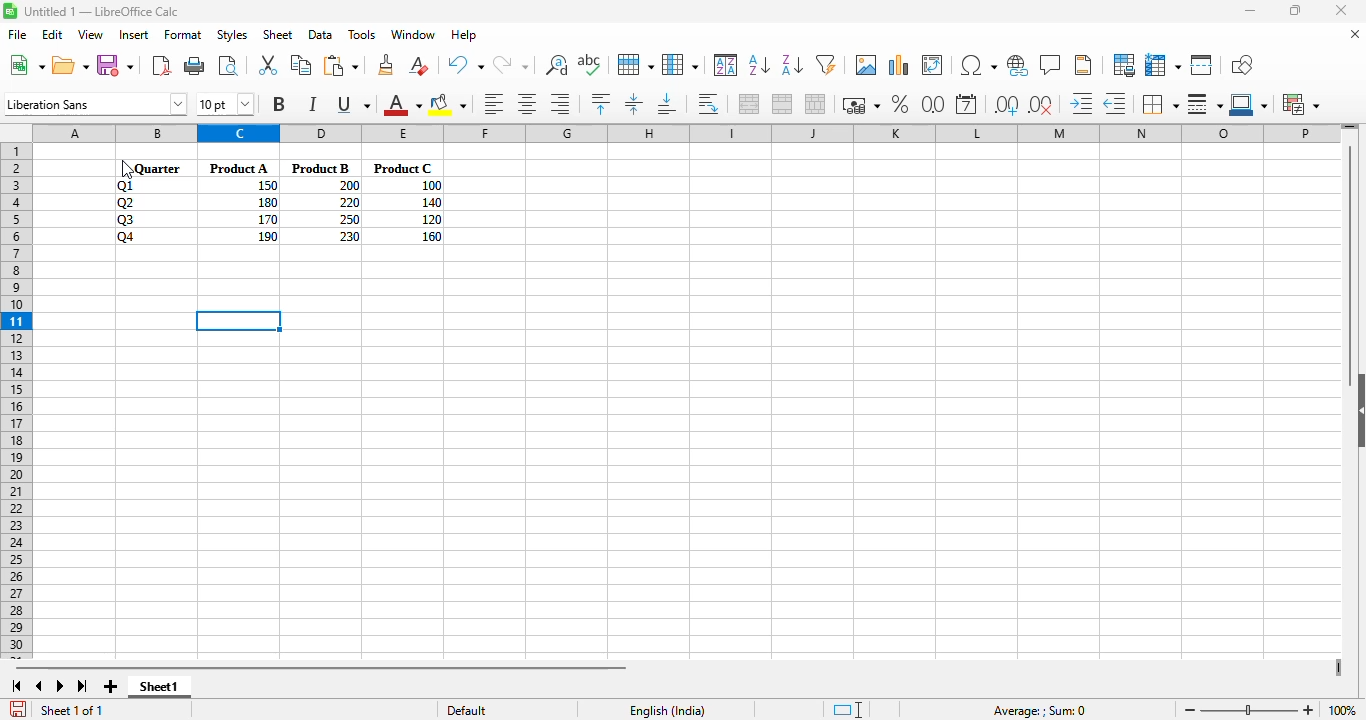 The height and width of the screenshot is (720, 1366). What do you see at coordinates (1007, 105) in the screenshot?
I see `add decimal` at bounding box center [1007, 105].